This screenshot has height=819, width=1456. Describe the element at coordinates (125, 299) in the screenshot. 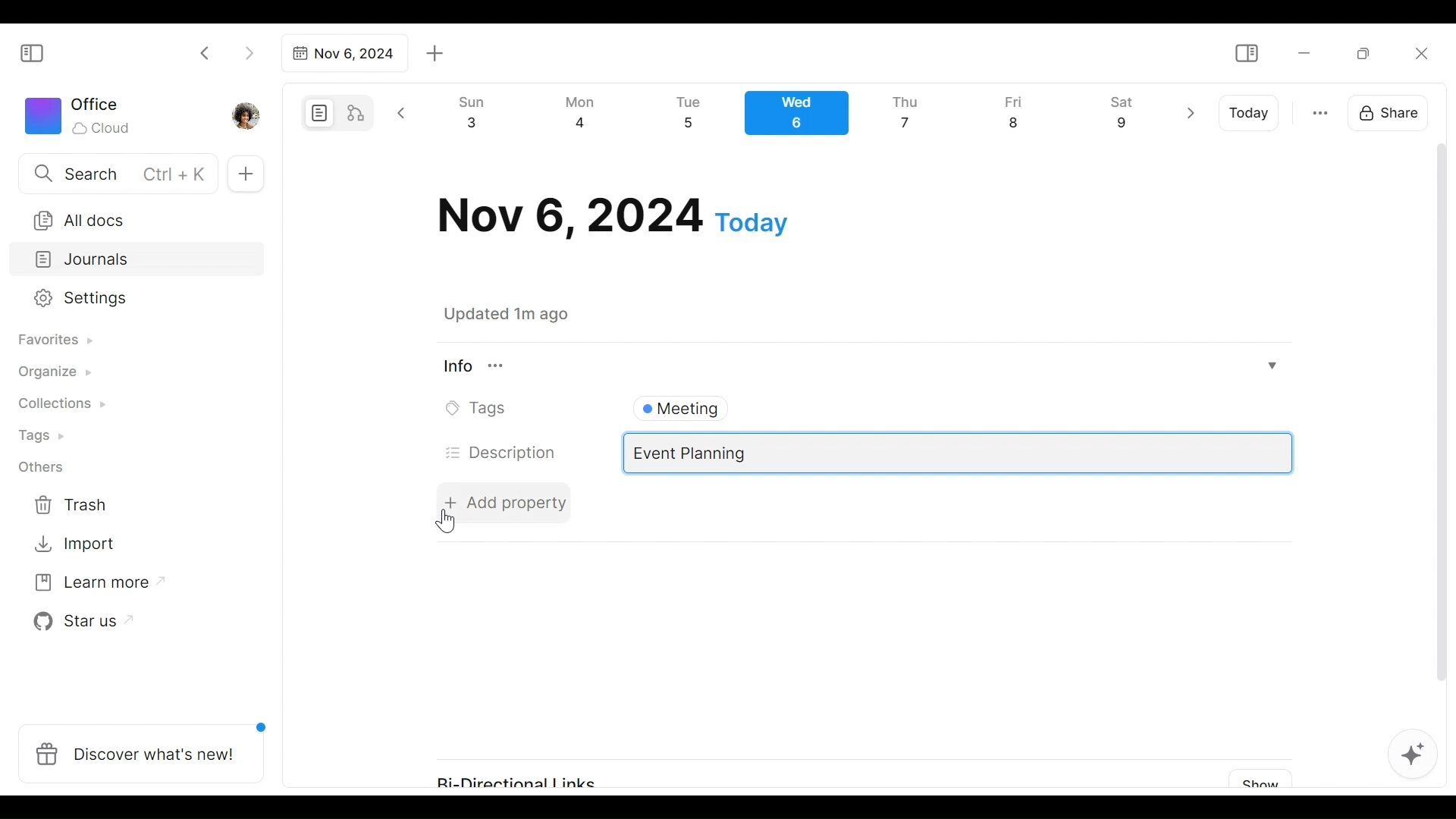

I see `Settings` at that location.